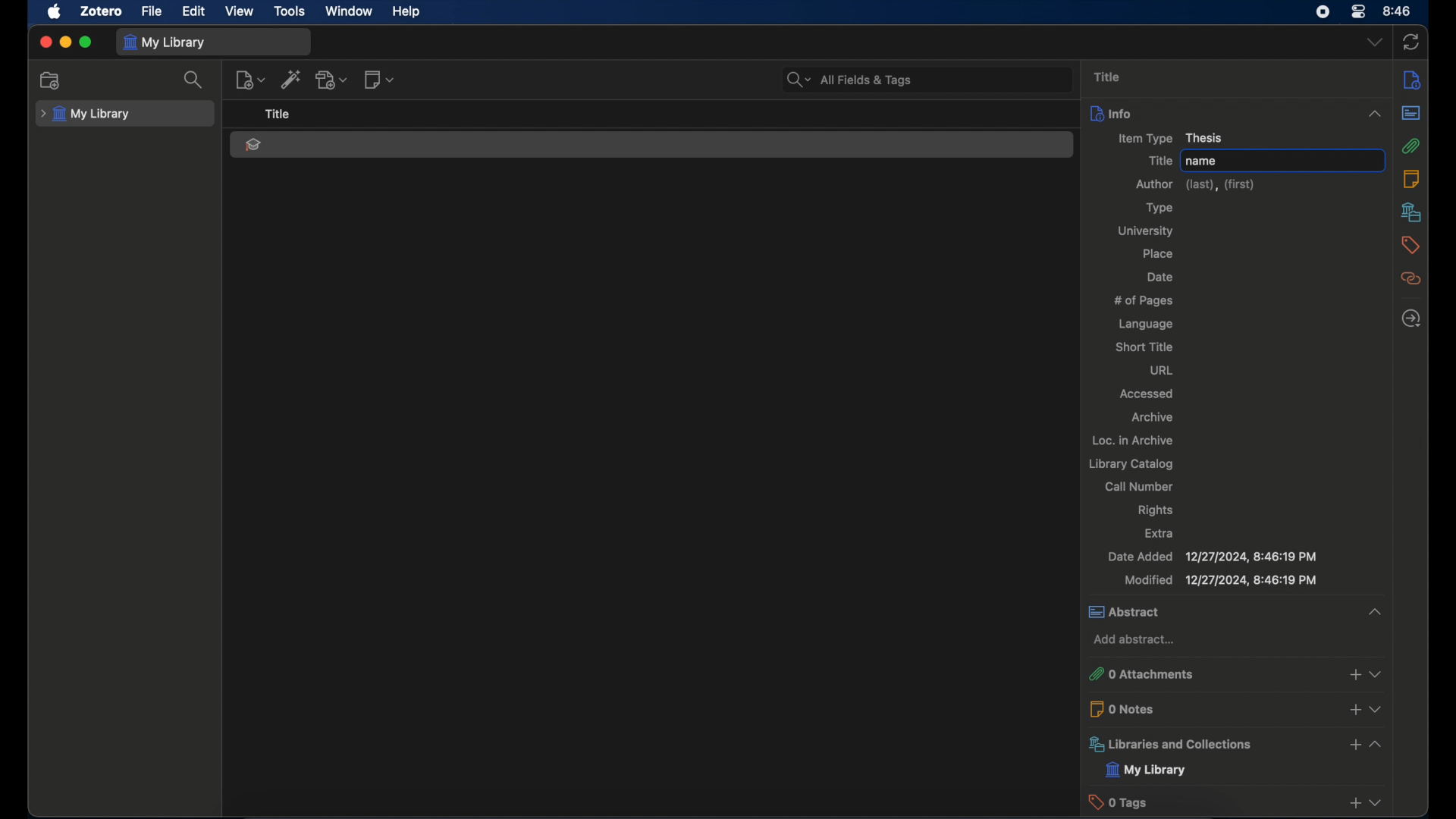 Image resolution: width=1456 pixels, height=819 pixels. What do you see at coordinates (1353, 805) in the screenshot?
I see `add tags` at bounding box center [1353, 805].